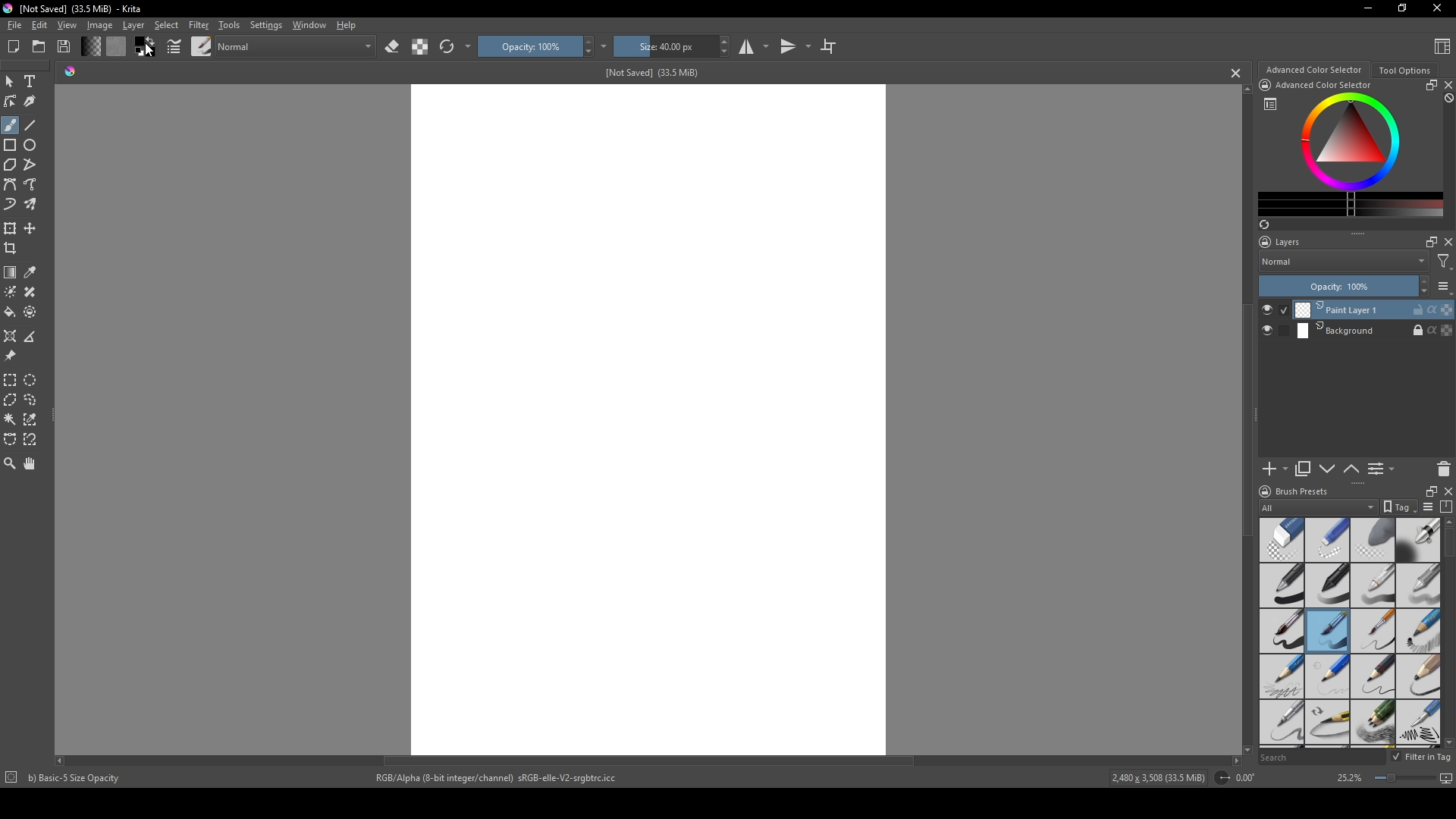 This screenshot has height=819, width=1456. What do you see at coordinates (1404, 71) in the screenshot?
I see `Tool Options` at bounding box center [1404, 71].